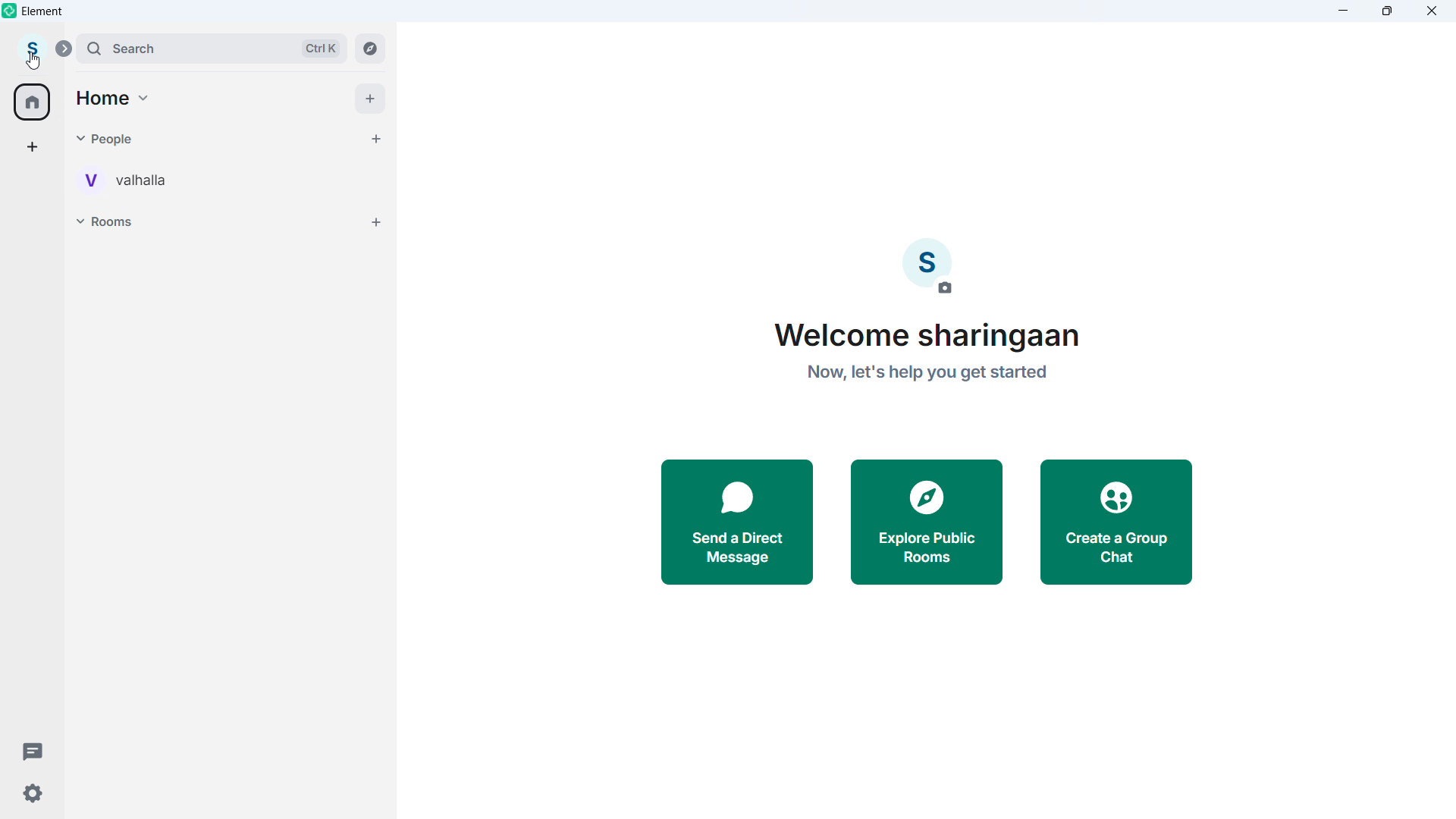 Image resolution: width=1456 pixels, height=819 pixels. I want to click on Settings , so click(33, 792).